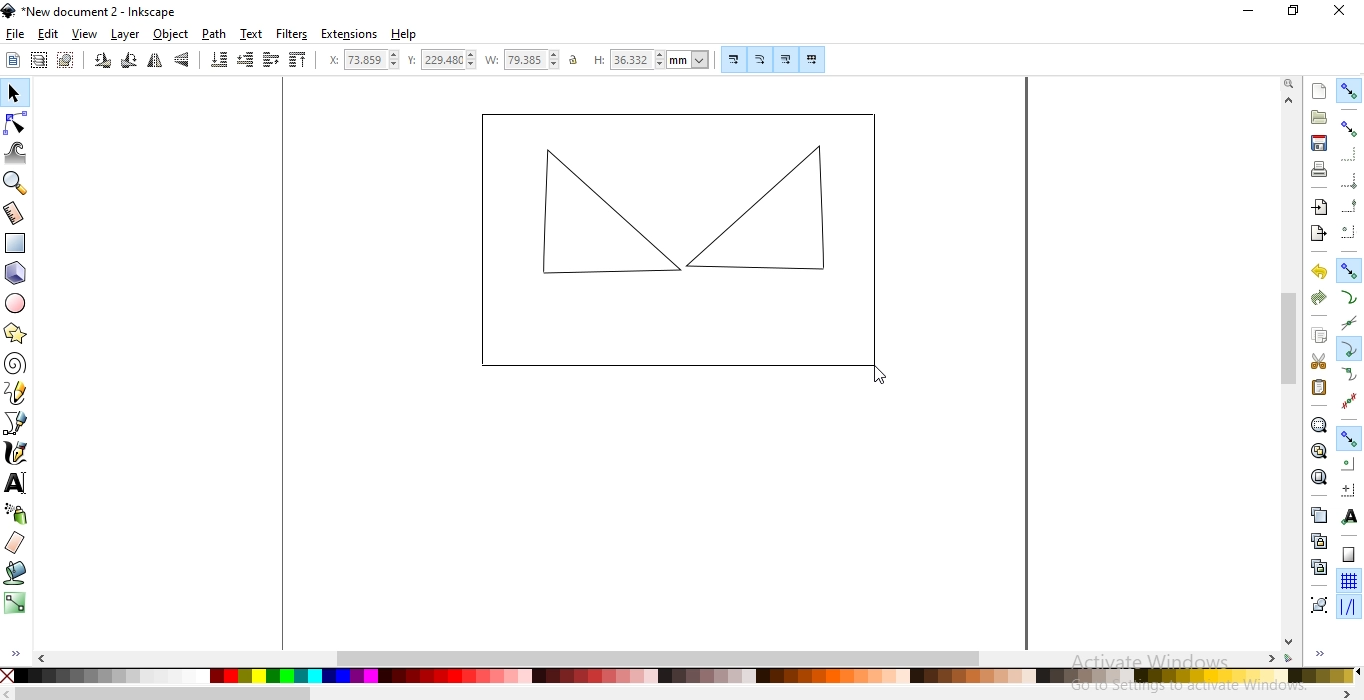 Image resolution: width=1364 pixels, height=700 pixels. What do you see at coordinates (17, 302) in the screenshot?
I see `create circles, arcs and ellipses` at bounding box center [17, 302].